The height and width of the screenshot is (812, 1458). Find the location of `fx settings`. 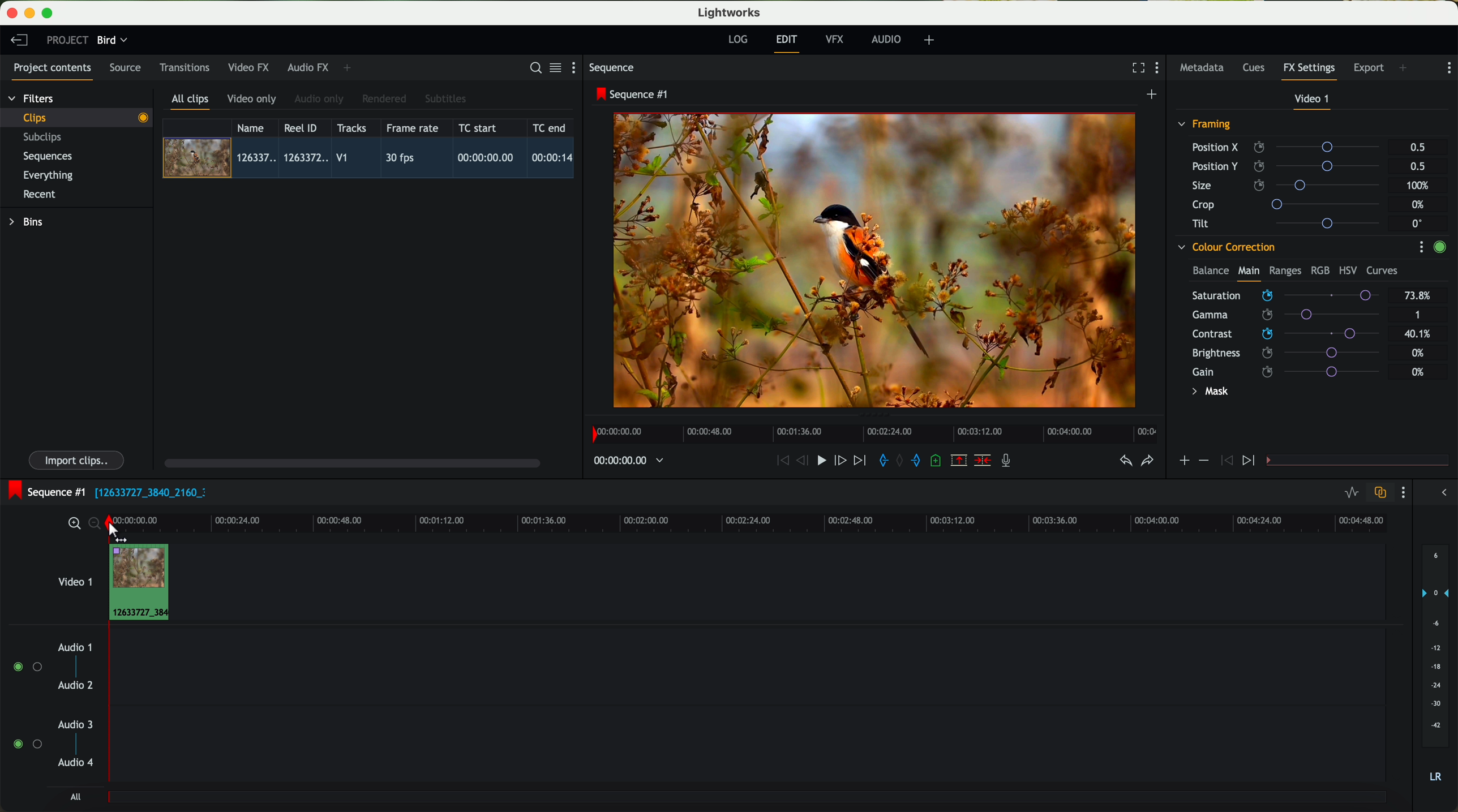

fx settings is located at coordinates (1309, 71).